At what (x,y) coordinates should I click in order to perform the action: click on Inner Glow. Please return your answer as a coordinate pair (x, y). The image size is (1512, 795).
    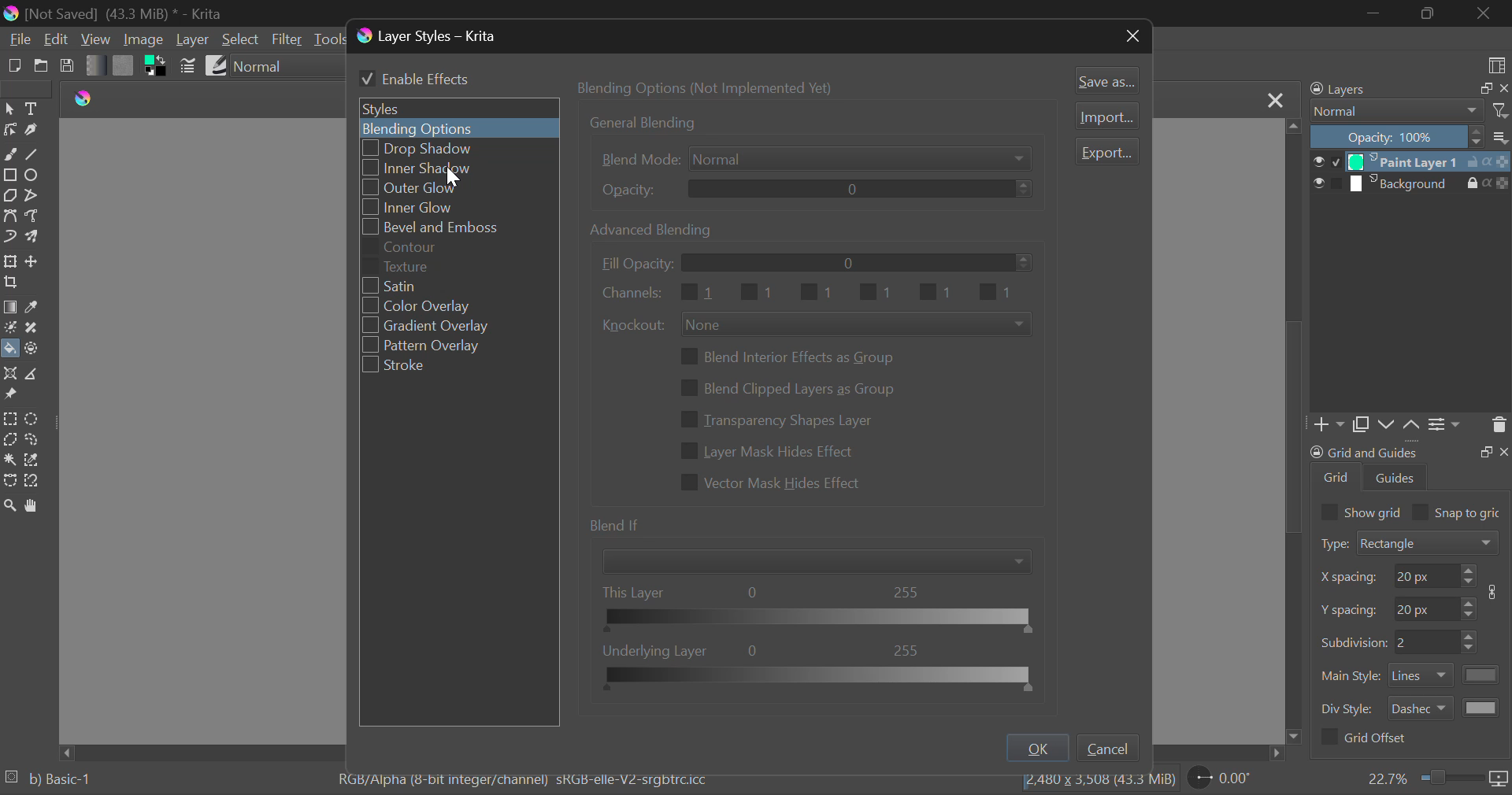
    Looking at the image, I should click on (453, 209).